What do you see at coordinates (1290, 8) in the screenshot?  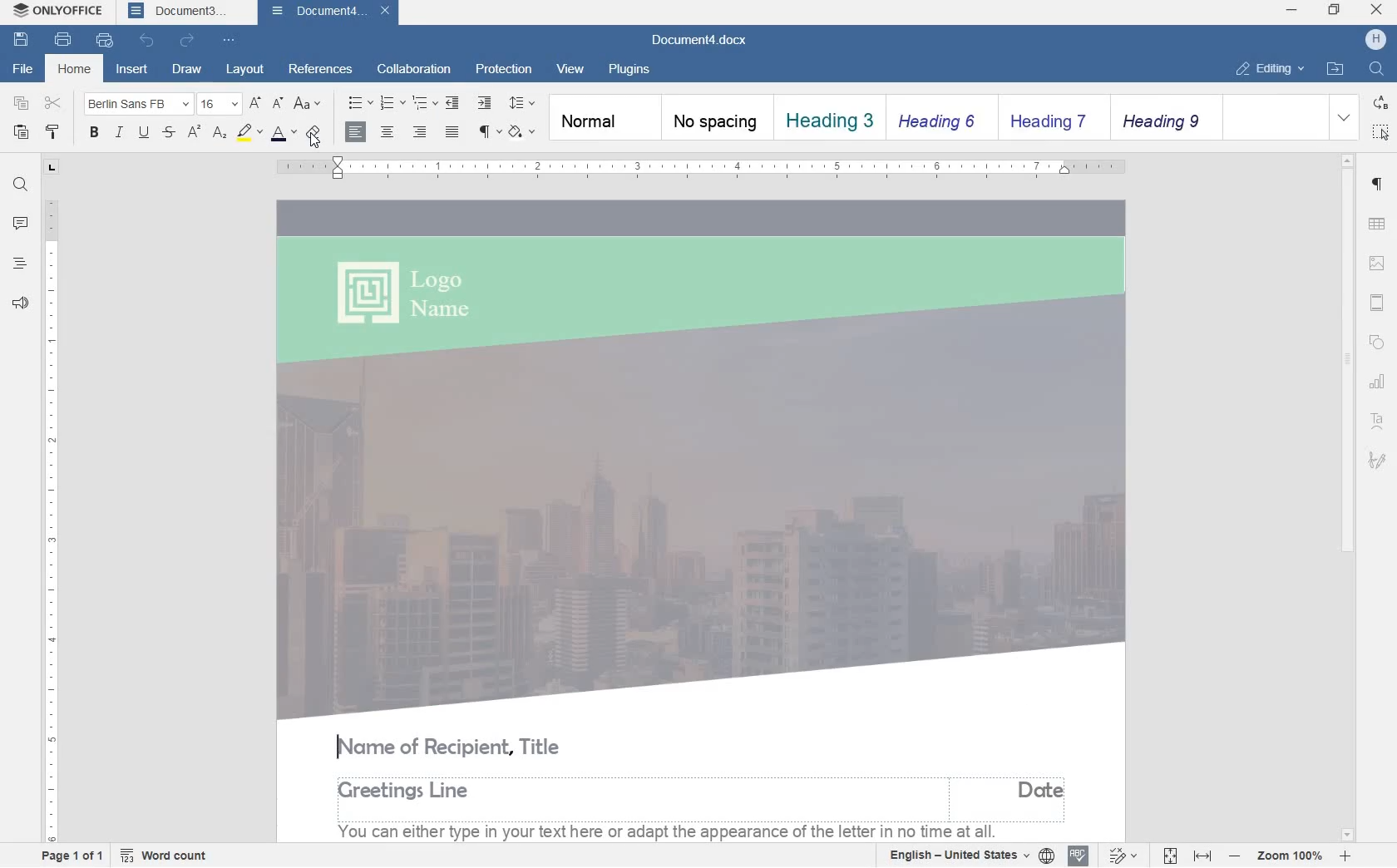 I see `minimize` at bounding box center [1290, 8].